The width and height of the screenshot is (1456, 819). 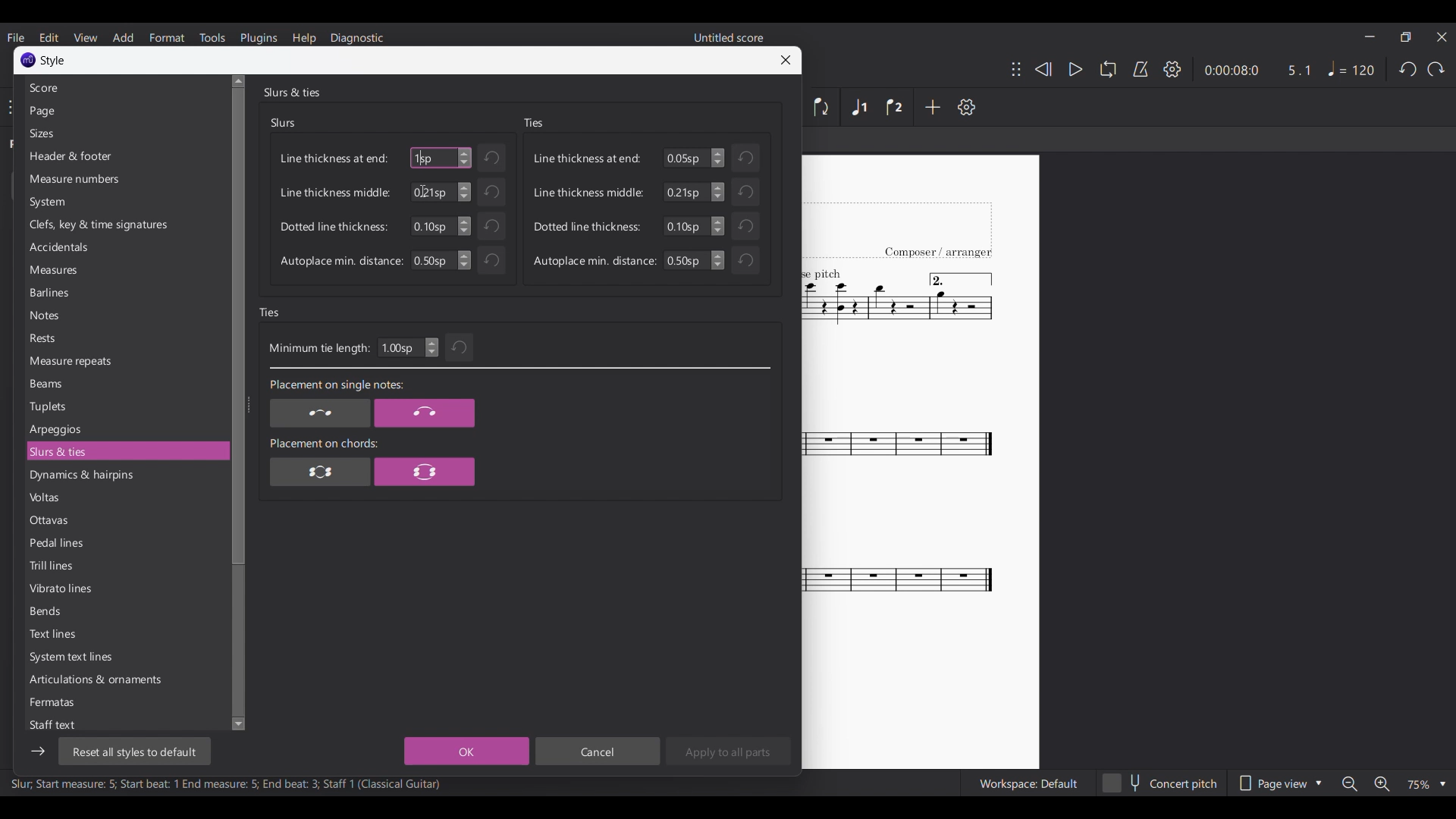 I want to click on Undo, so click(x=491, y=226).